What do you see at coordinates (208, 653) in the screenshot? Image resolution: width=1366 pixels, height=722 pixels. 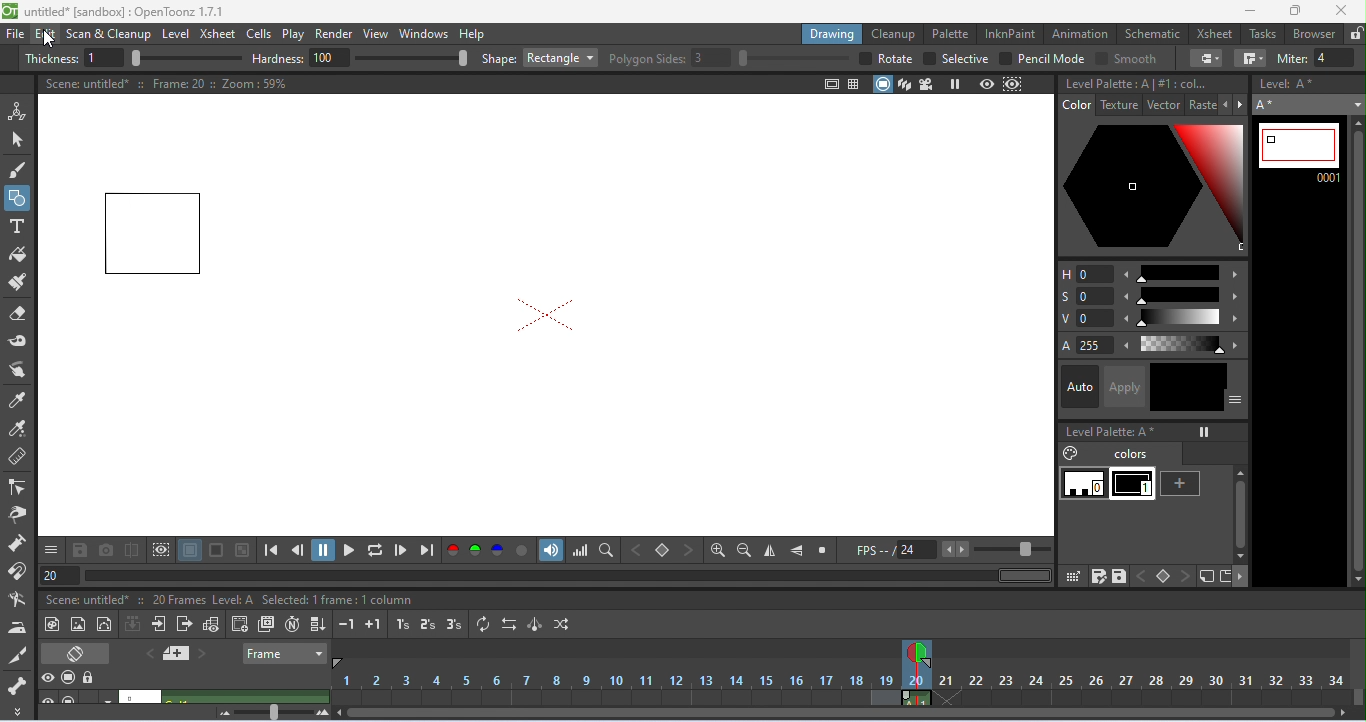 I see `next` at bounding box center [208, 653].